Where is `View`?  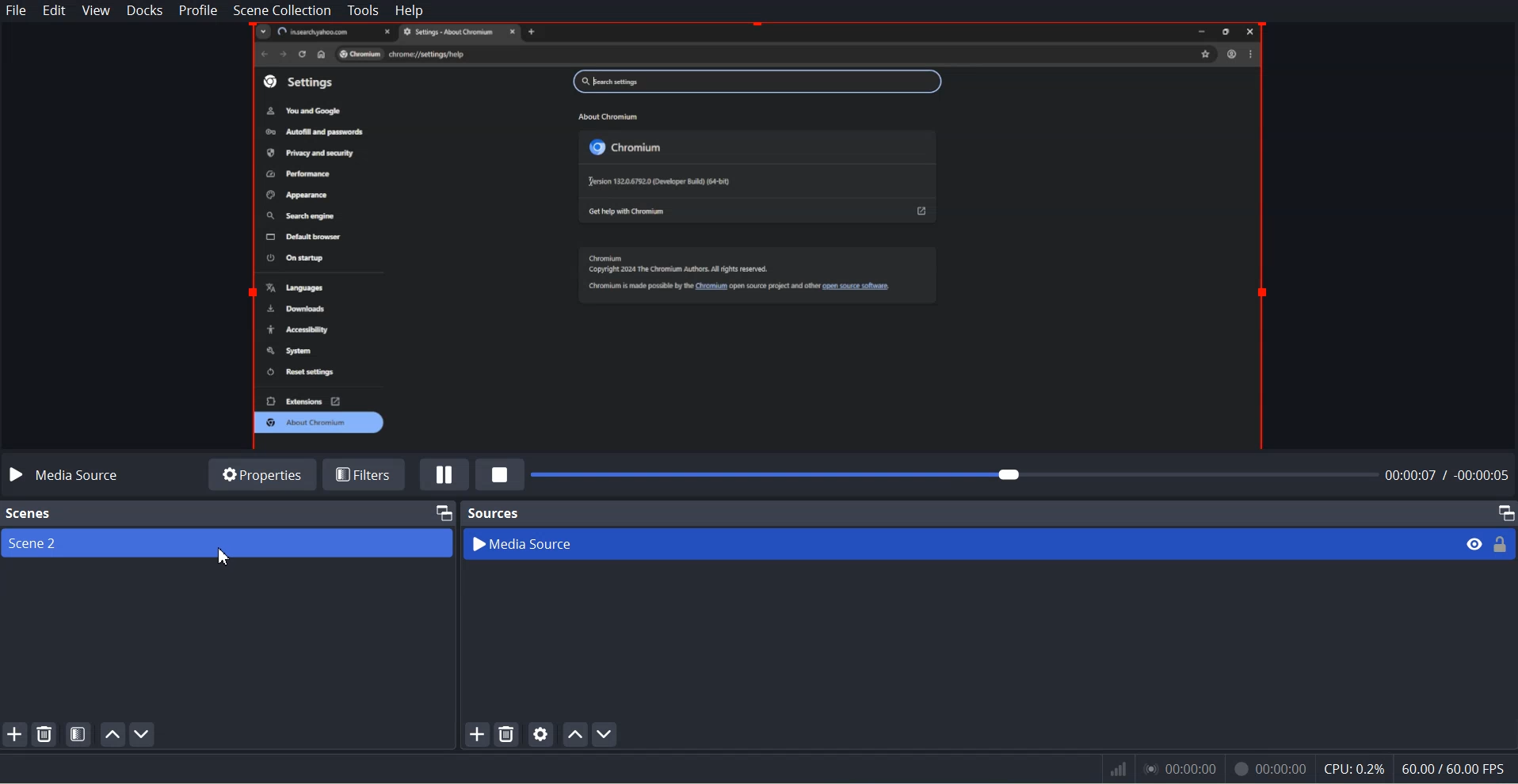
View is located at coordinates (96, 11).